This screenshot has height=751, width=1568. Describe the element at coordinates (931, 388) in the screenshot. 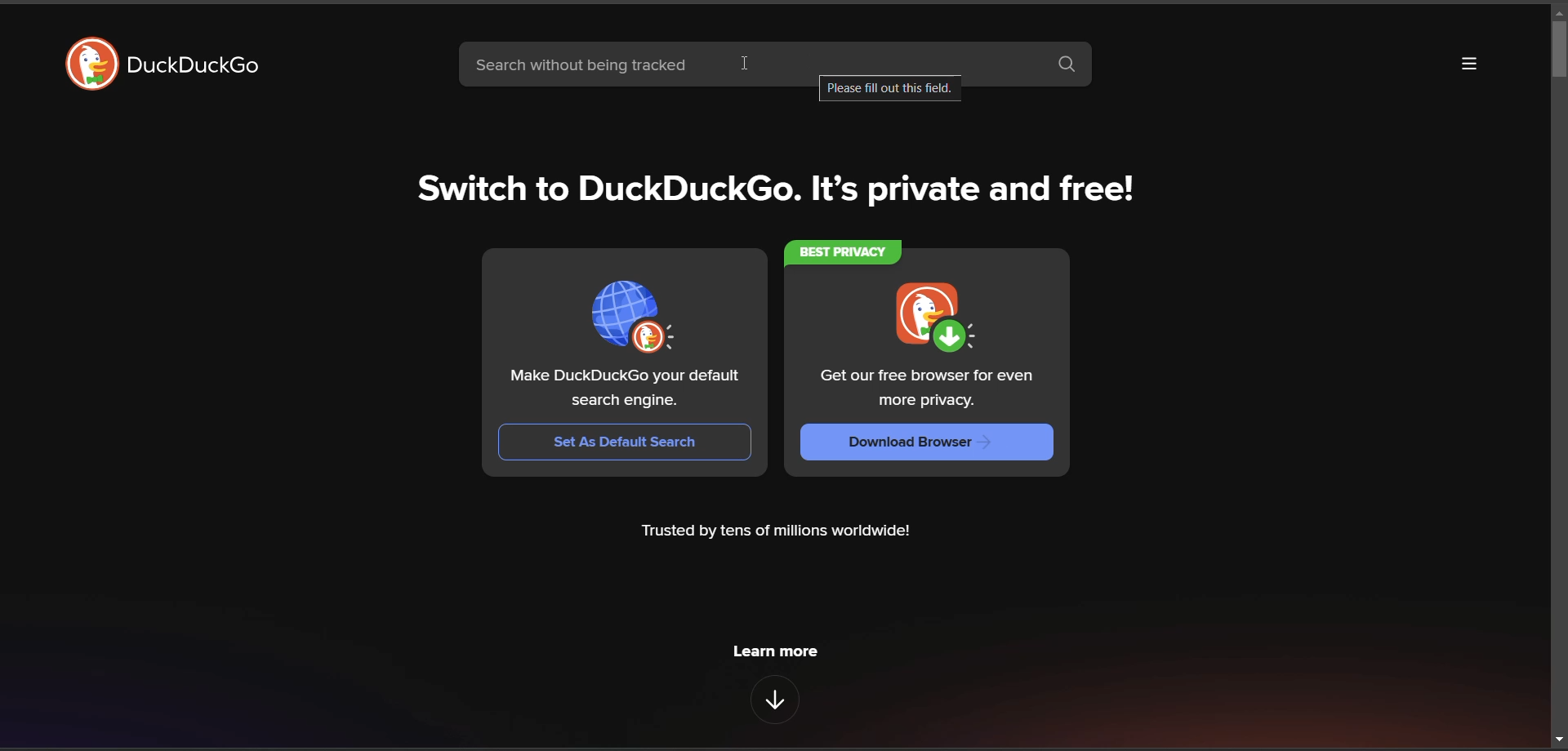

I see `Get our free browser for even
more privacy.` at that location.